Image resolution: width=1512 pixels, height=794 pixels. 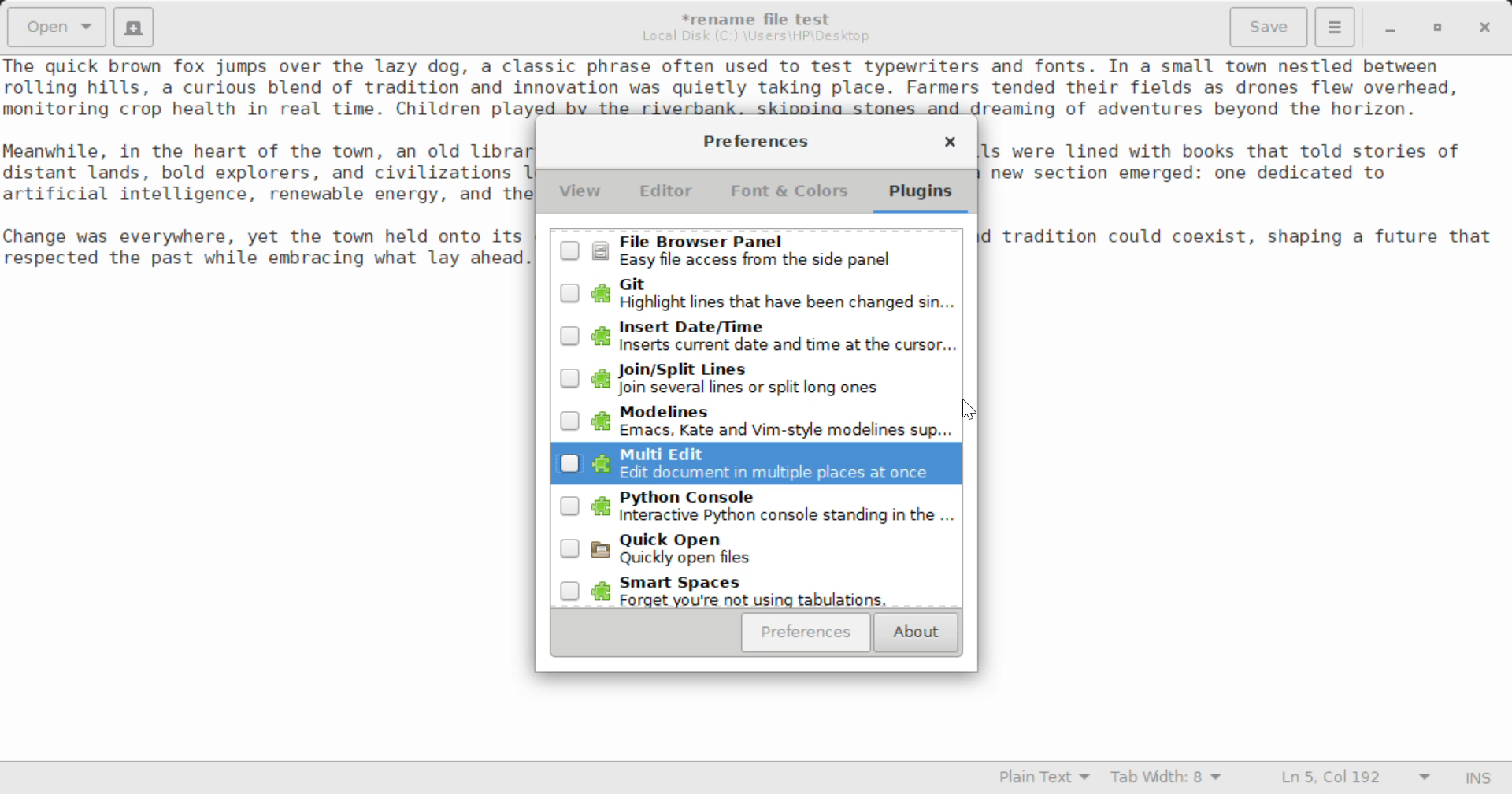 What do you see at coordinates (1169, 779) in the screenshot?
I see `Tab Width ` at bounding box center [1169, 779].